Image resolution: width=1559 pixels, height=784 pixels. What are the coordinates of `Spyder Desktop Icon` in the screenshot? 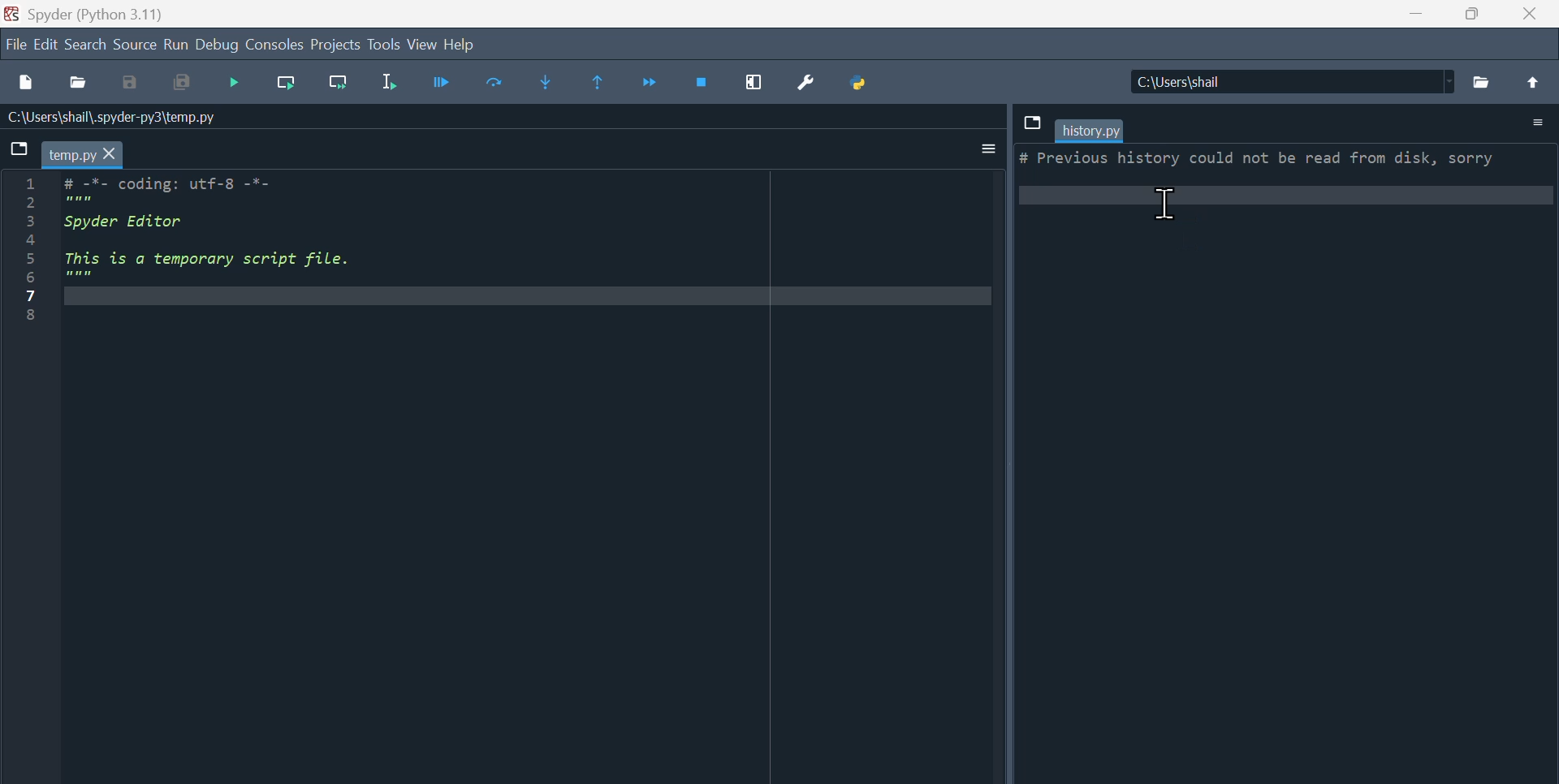 It's located at (13, 14).